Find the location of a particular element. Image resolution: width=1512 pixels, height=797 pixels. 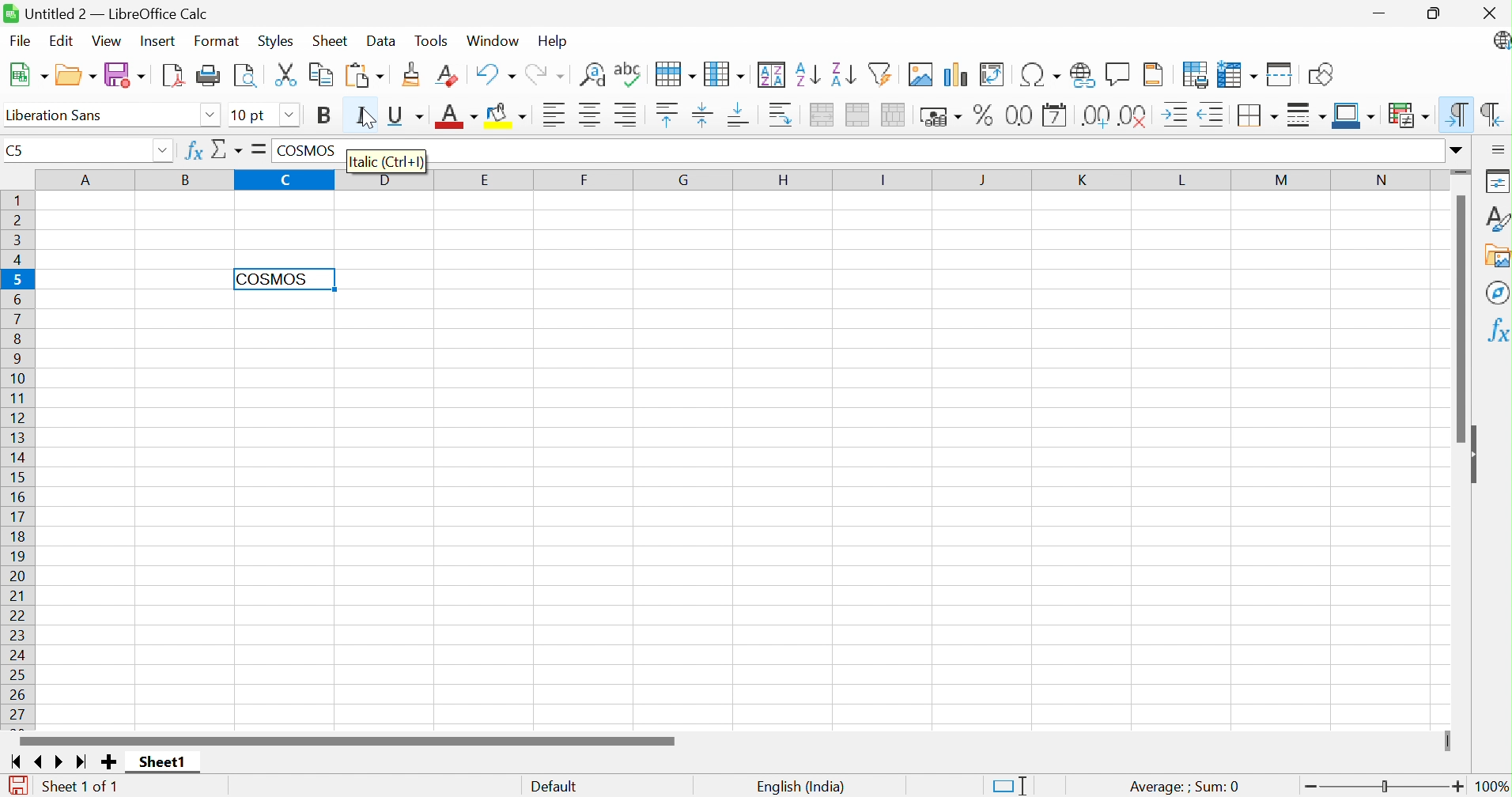

Styles is located at coordinates (275, 43).